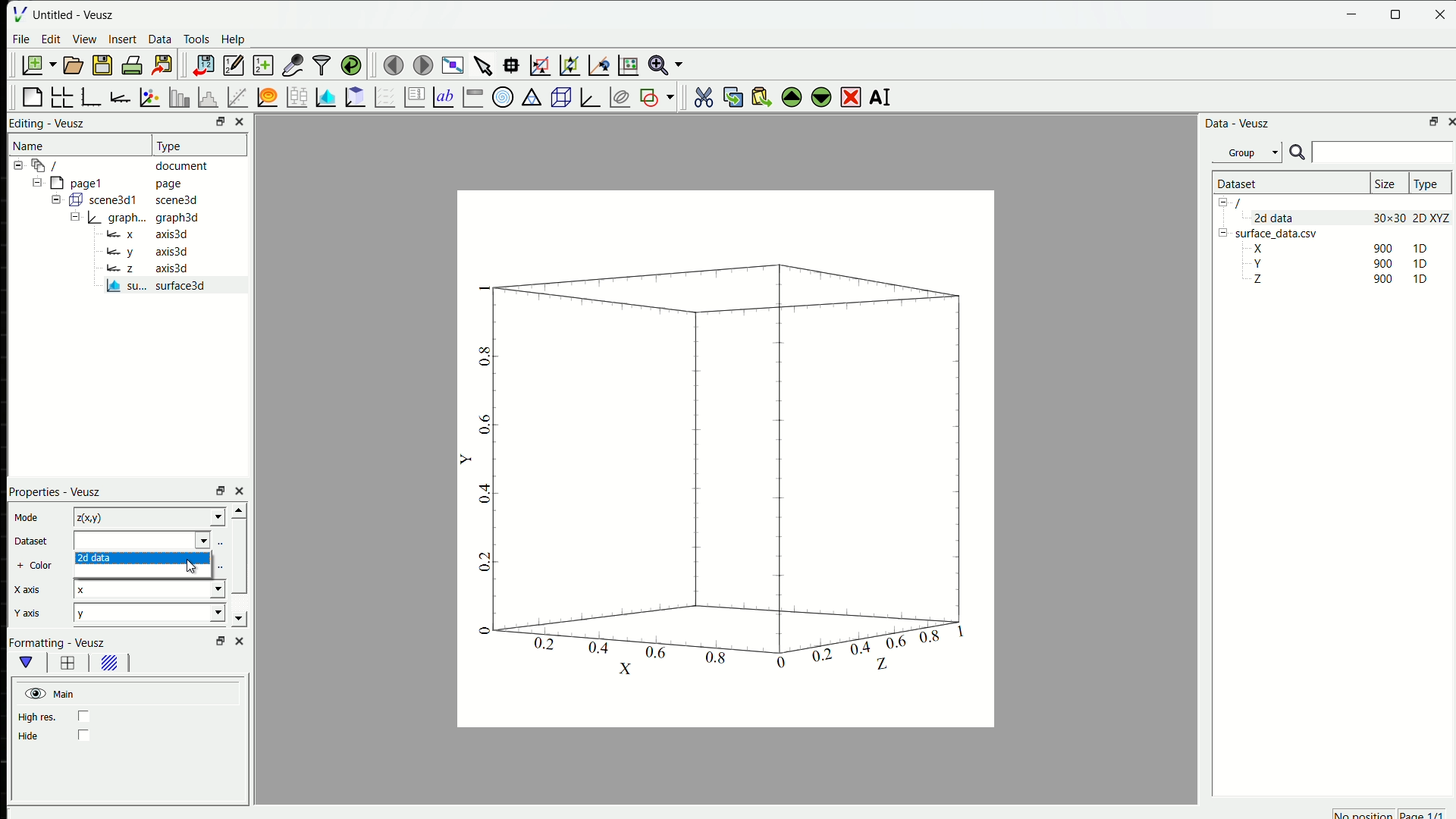 The width and height of the screenshot is (1456, 819). What do you see at coordinates (139, 612) in the screenshot?
I see `y` at bounding box center [139, 612].